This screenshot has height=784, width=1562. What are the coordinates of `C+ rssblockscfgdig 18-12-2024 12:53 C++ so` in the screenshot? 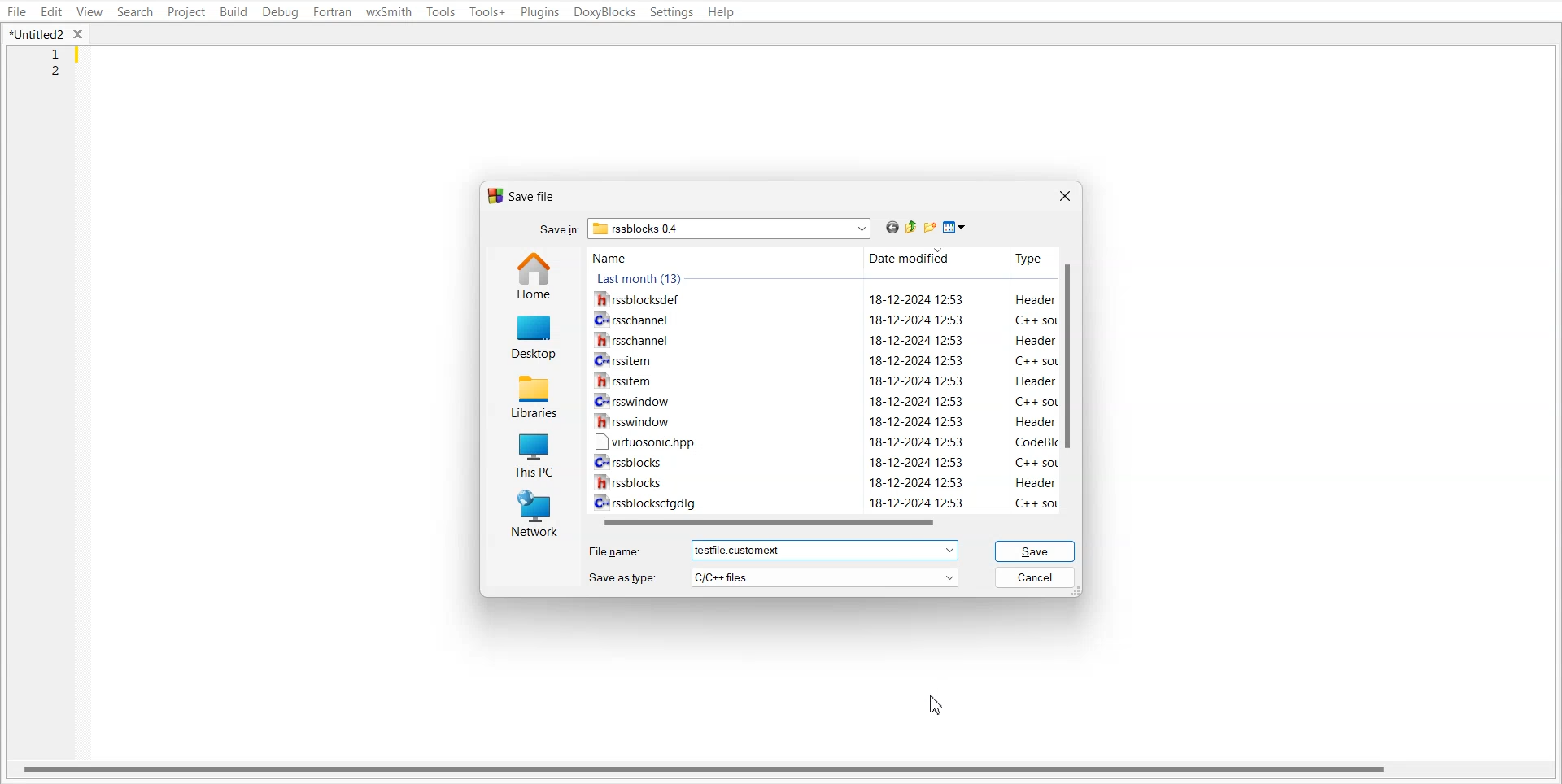 It's located at (824, 505).